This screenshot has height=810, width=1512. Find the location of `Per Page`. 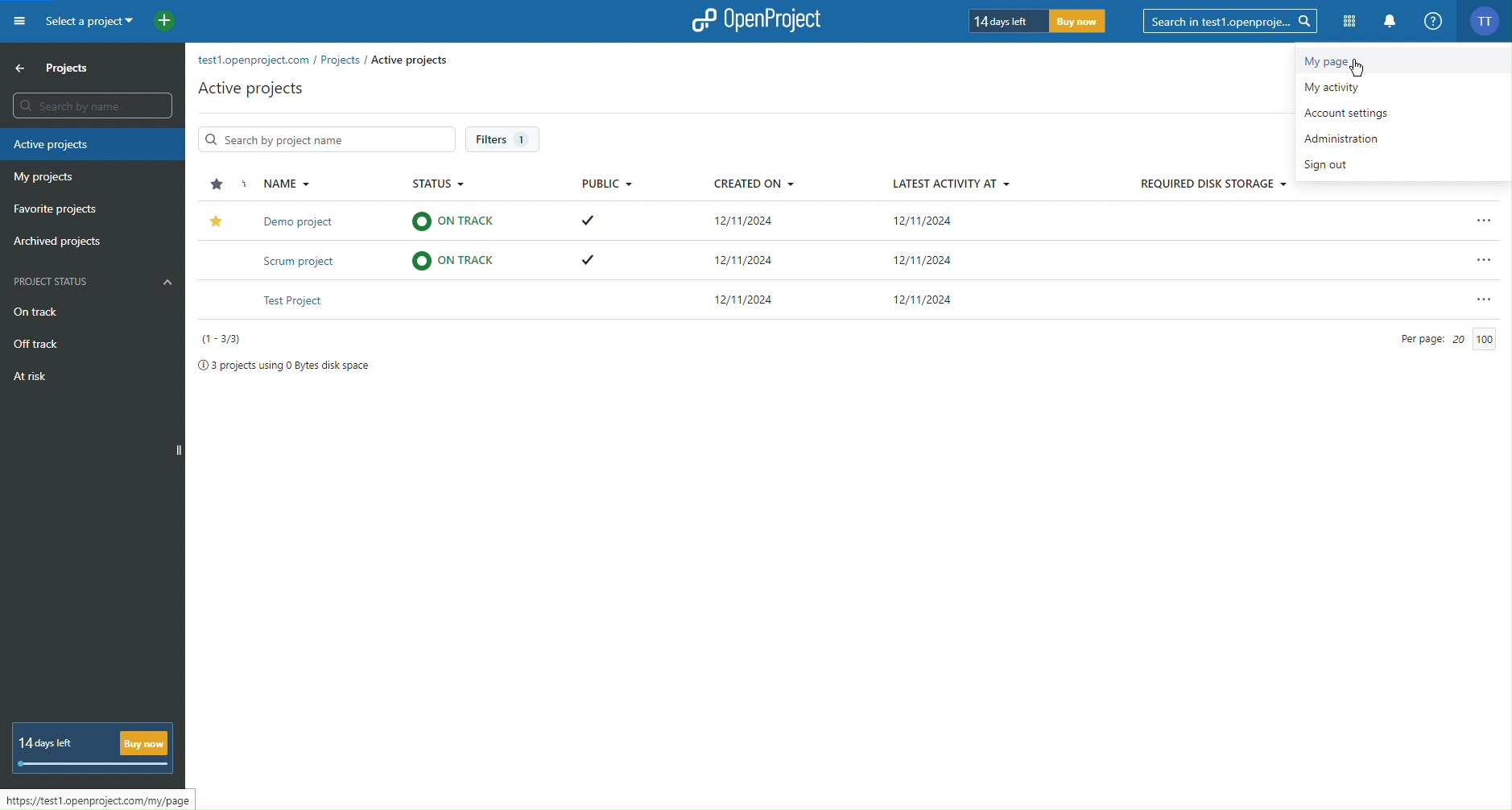

Per Page is located at coordinates (1440, 339).